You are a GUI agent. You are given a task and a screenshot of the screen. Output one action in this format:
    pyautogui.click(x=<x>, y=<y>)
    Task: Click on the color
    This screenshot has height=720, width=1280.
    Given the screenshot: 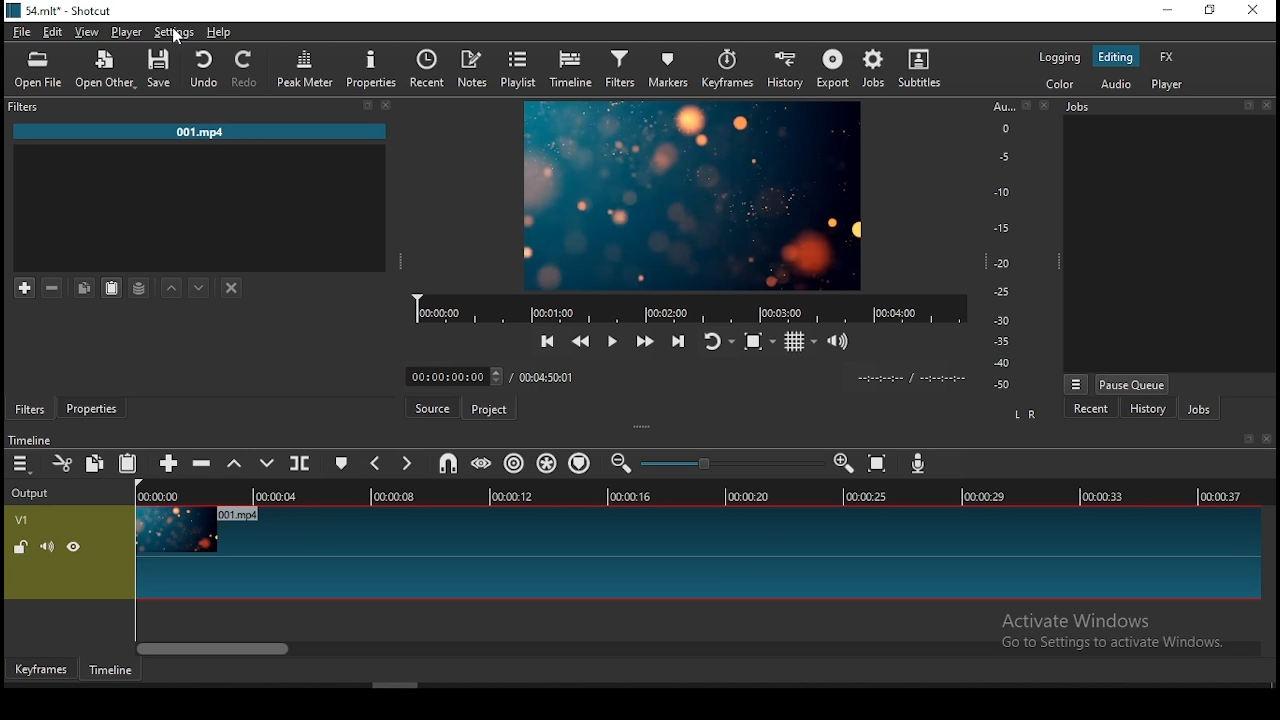 What is the action you would take?
    pyautogui.click(x=1059, y=83)
    